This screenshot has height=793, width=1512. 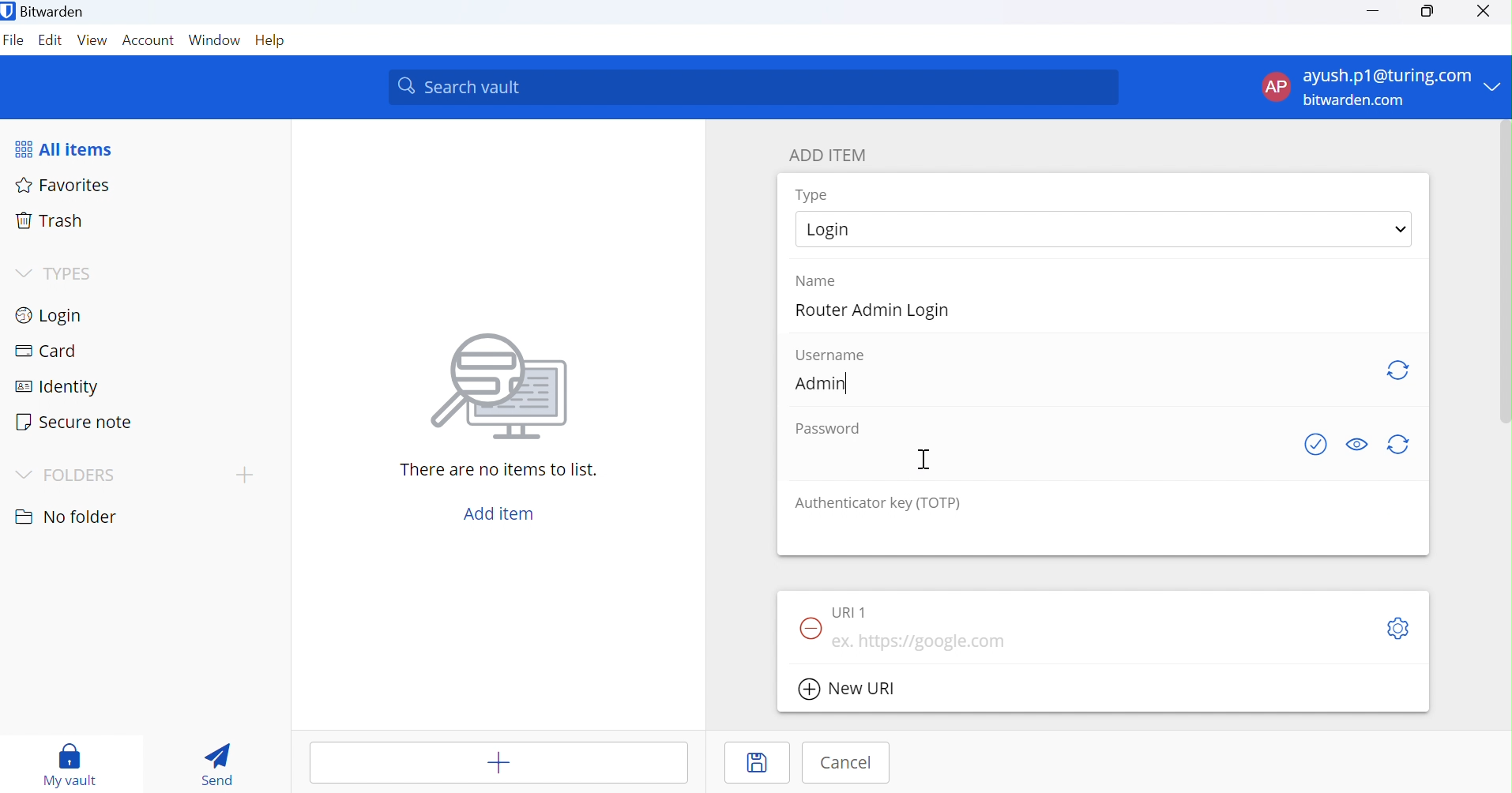 I want to click on View, so click(x=92, y=43).